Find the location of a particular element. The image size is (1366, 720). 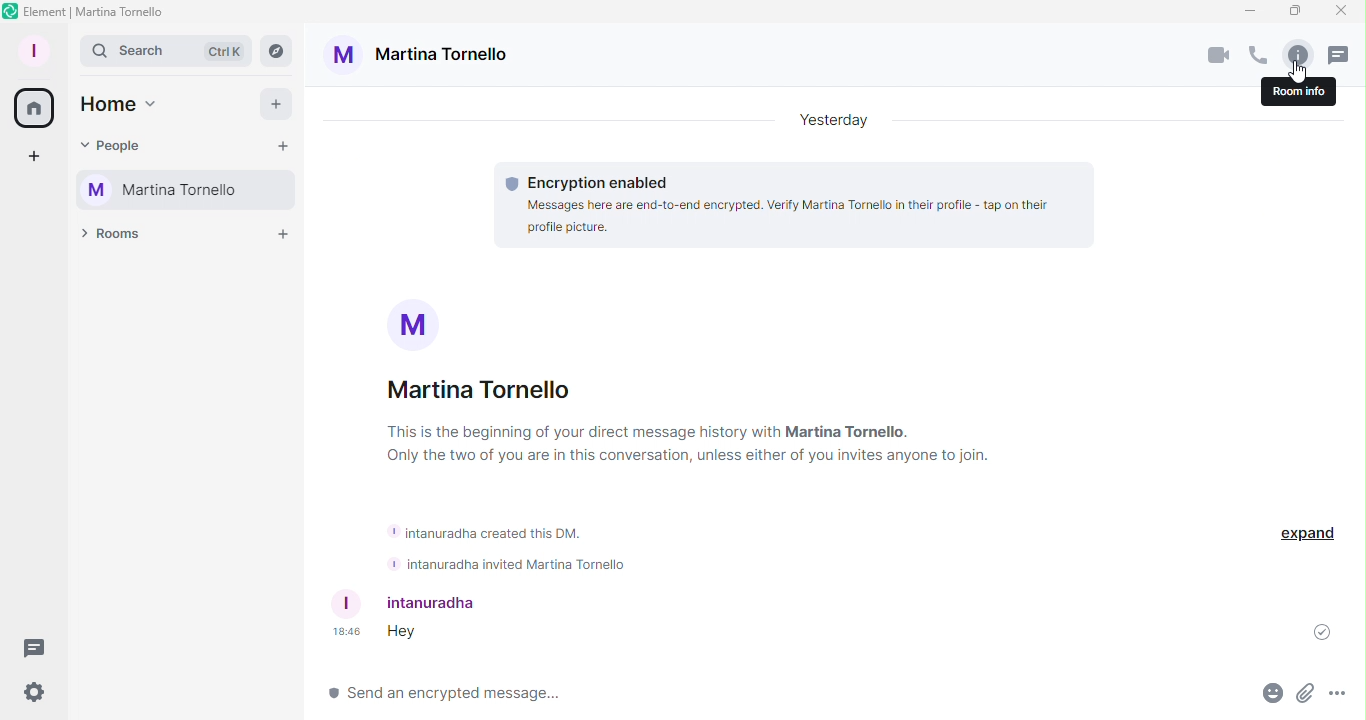

Call is located at coordinates (1257, 54).